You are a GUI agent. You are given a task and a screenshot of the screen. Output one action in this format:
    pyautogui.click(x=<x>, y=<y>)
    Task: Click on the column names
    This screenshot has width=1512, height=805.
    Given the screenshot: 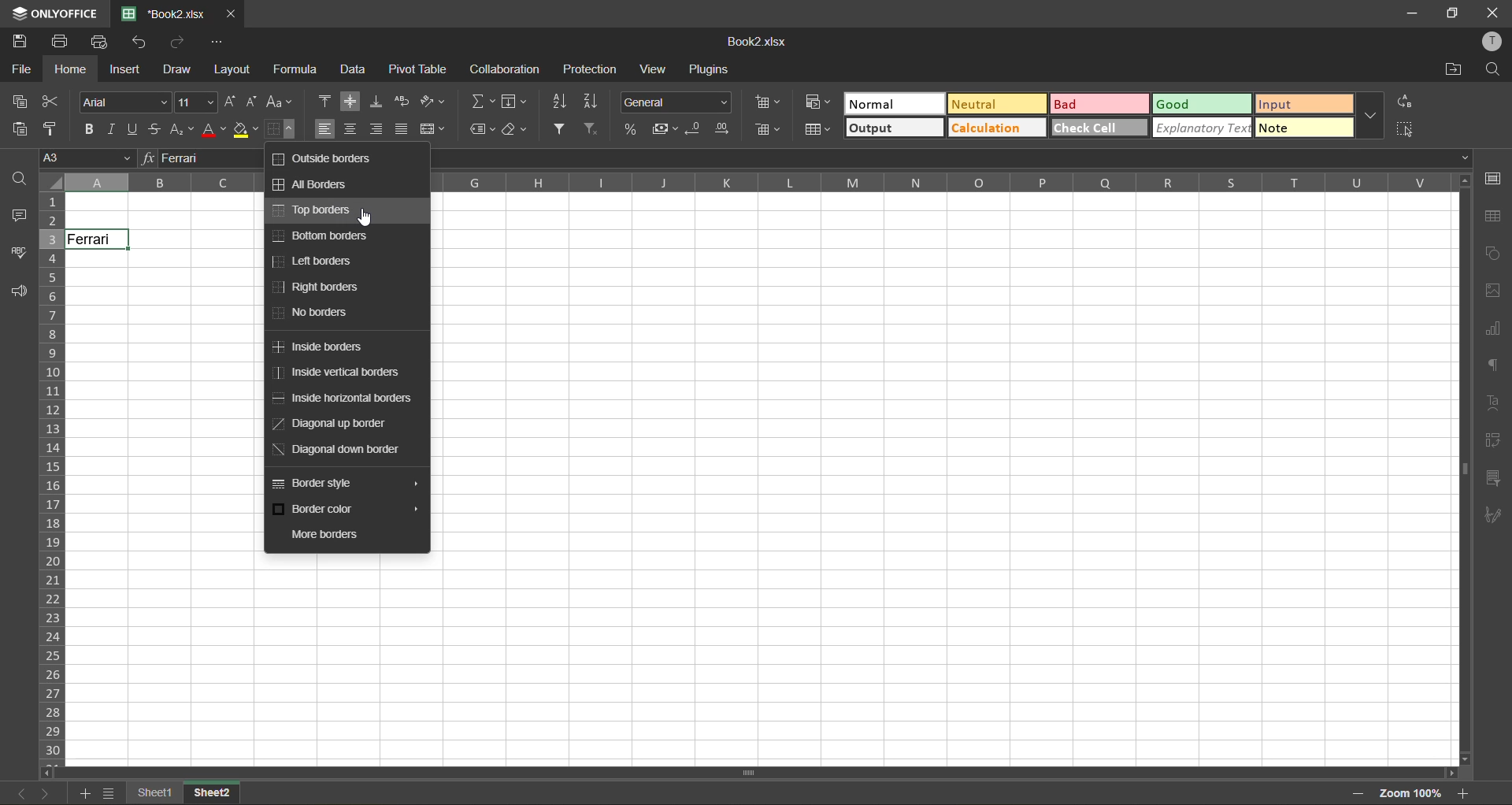 What is the action you would take?
    pyautogui.click(x=939, y=181)
    